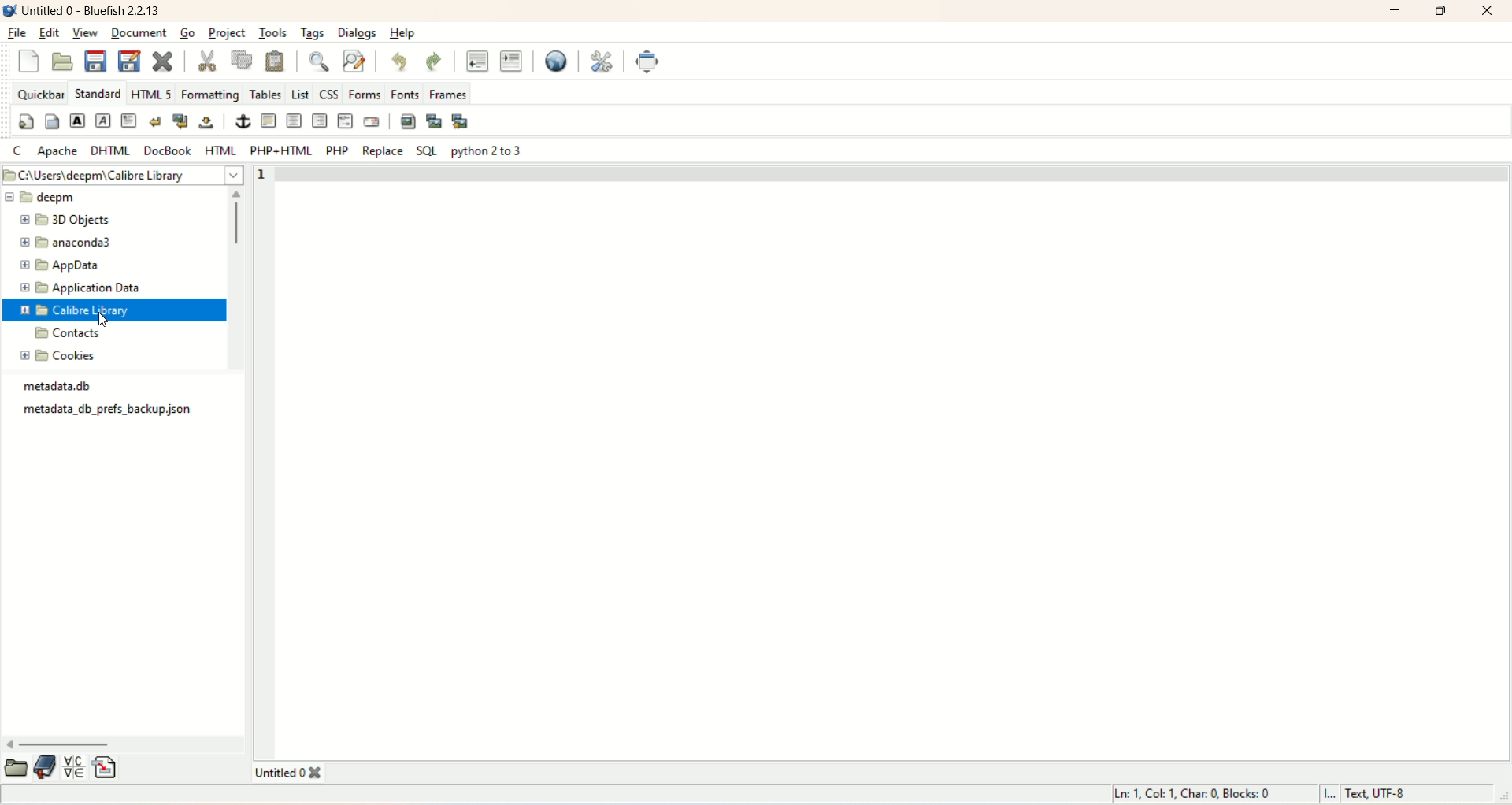 Image resolution: width=1512 pixels, height=805 pixels. Describe the element at coordinates (450, 95) in the screenshot. I see `frames` at that location.